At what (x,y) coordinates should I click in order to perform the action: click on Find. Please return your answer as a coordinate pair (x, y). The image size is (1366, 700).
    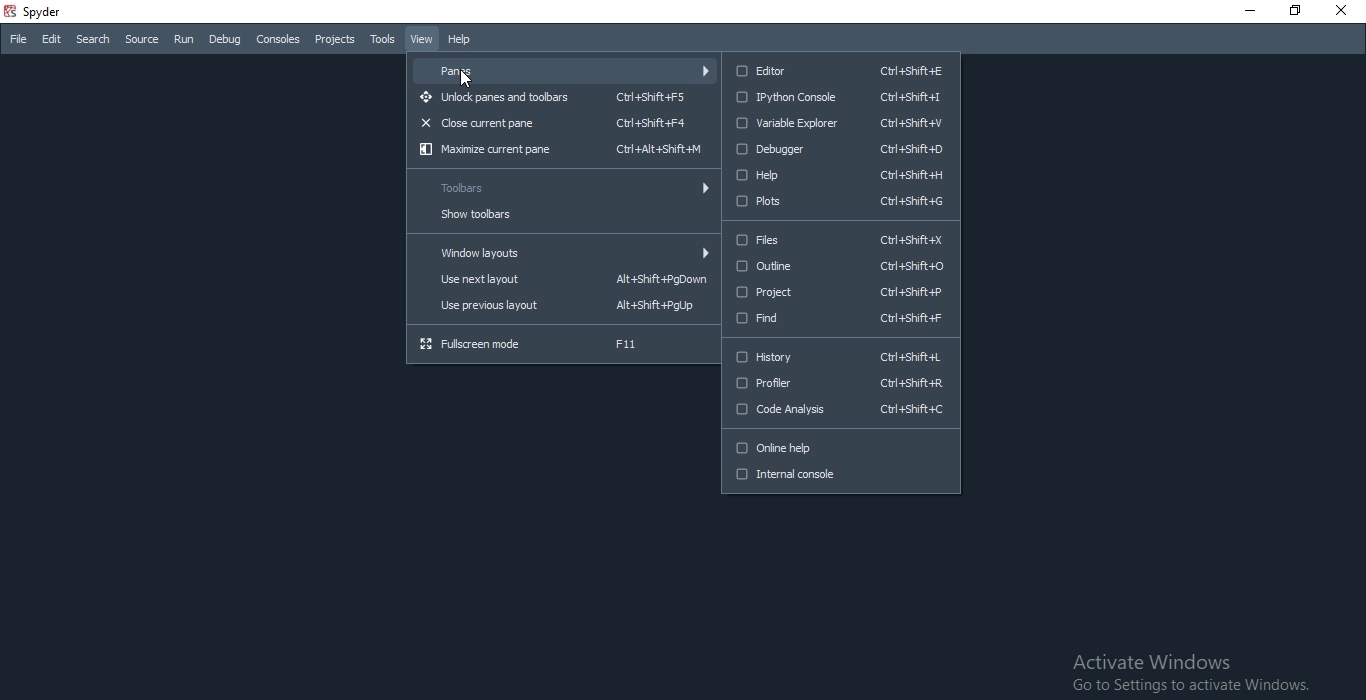
    Looking at the image, I should click on (840, 320).